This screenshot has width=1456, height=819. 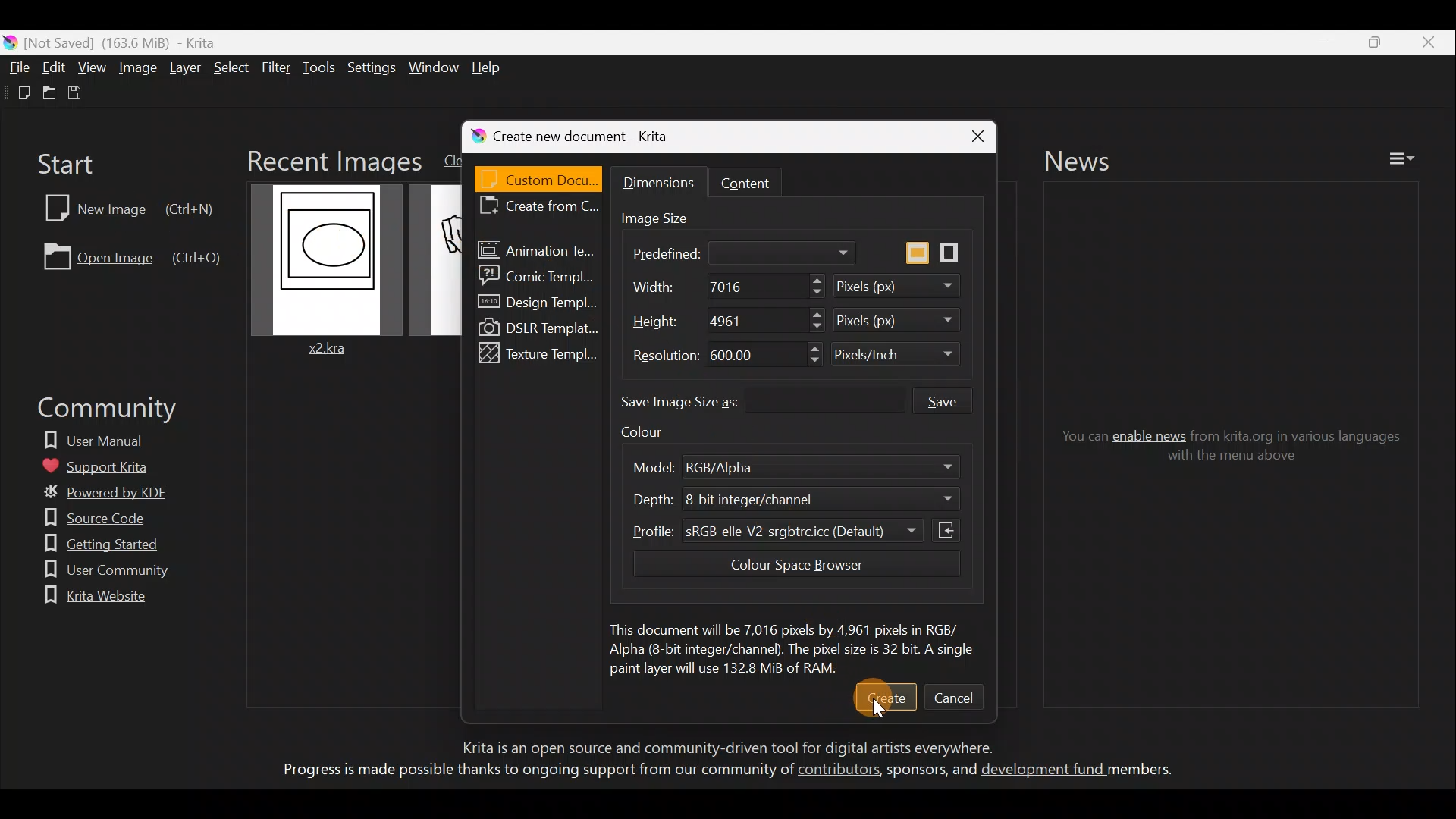 I want to click on Image, so click(x=138, y=70).